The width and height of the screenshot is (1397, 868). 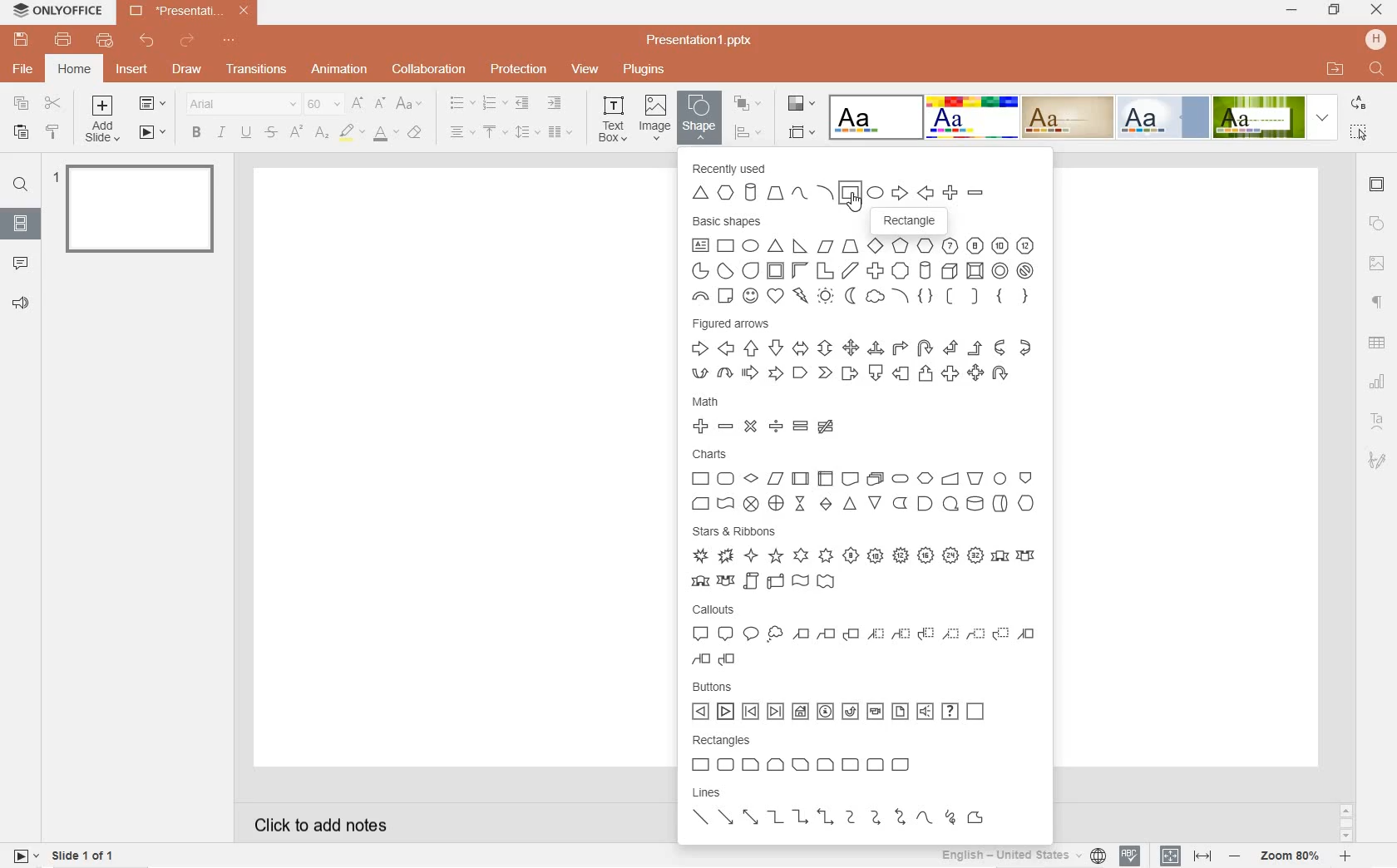 What do you see at coordinates (900, 195) in the screenshot?
I see `Right Arrow` at bounding box center [900, 195].